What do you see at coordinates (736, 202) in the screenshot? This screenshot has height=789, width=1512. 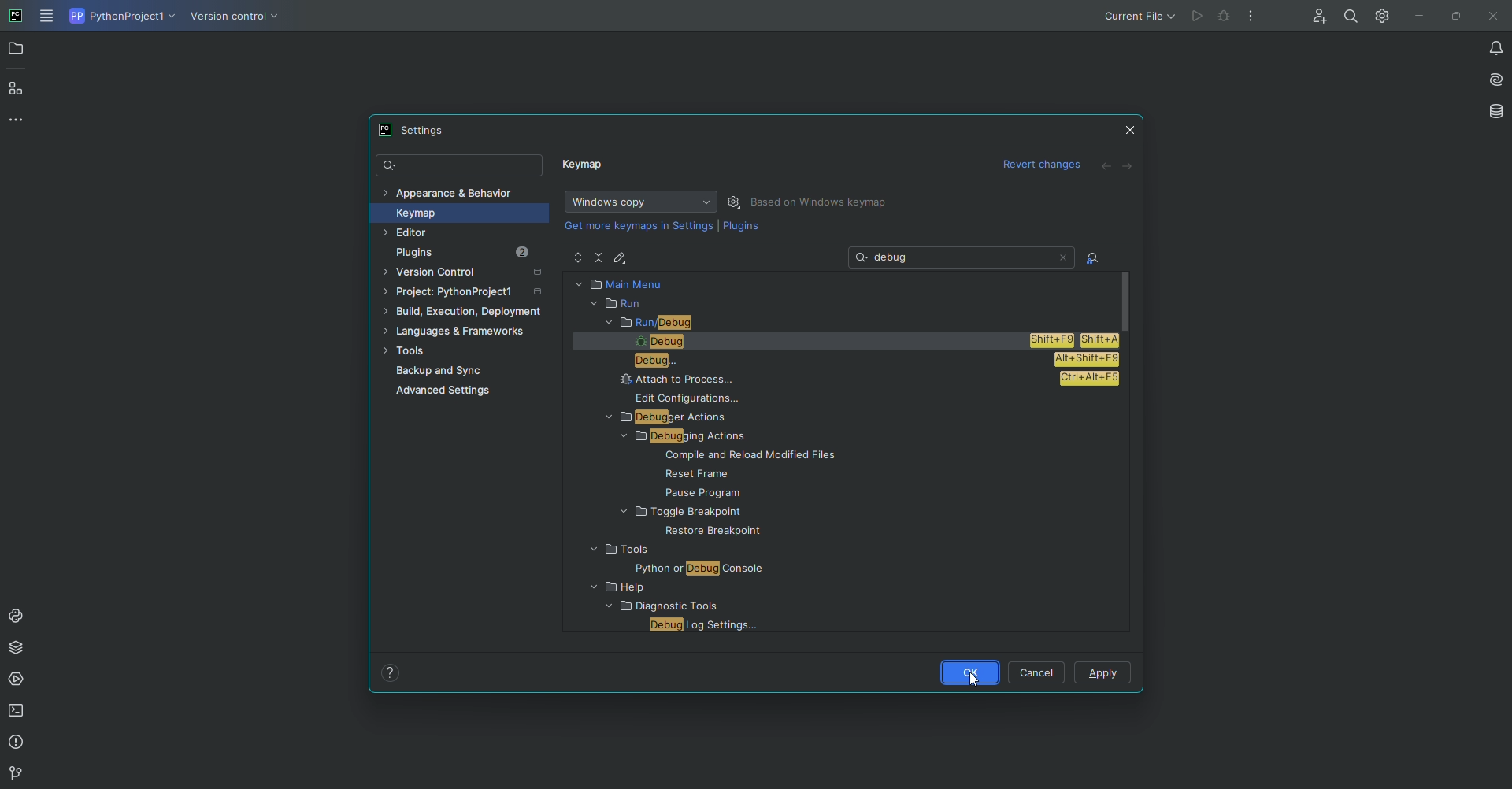 I see `Settings` at bounding box center [736, 202].